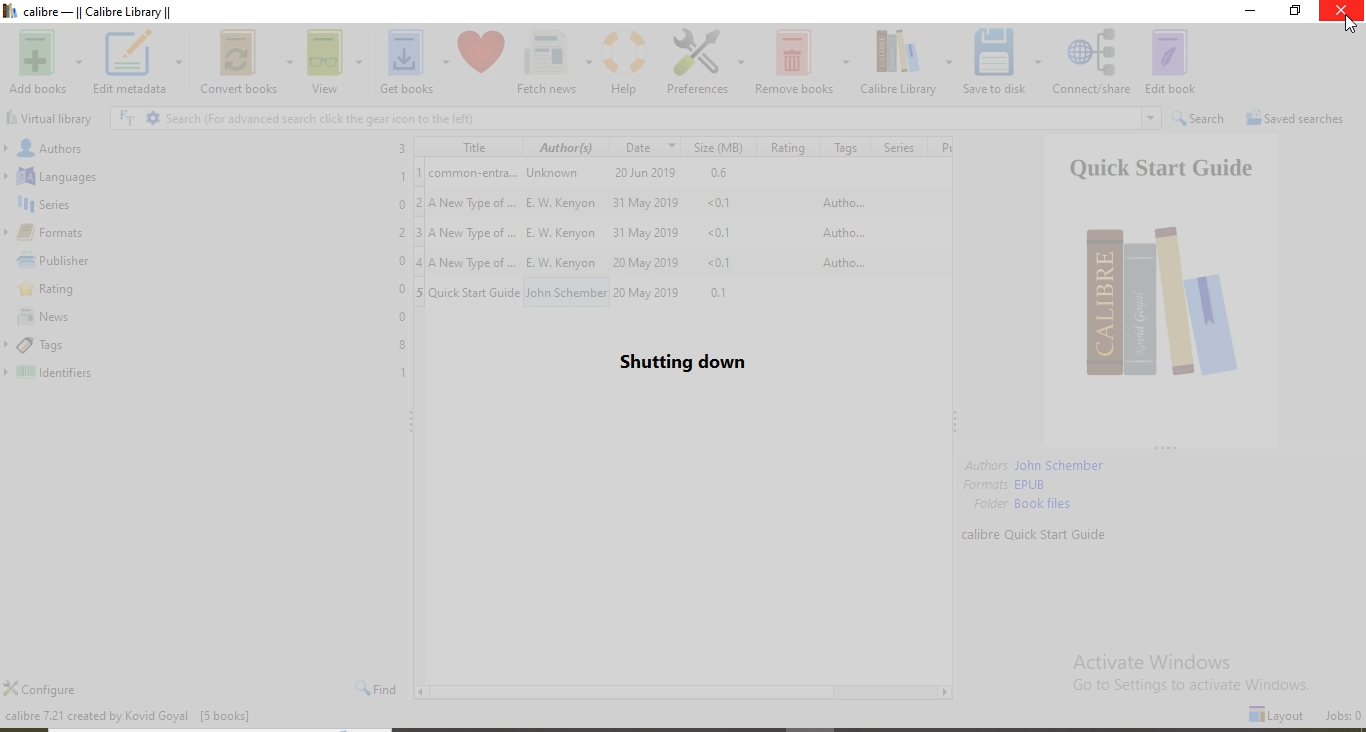  Describe the element at coordinates (716, 174) in the screenshot. I see `0.6` at that location.